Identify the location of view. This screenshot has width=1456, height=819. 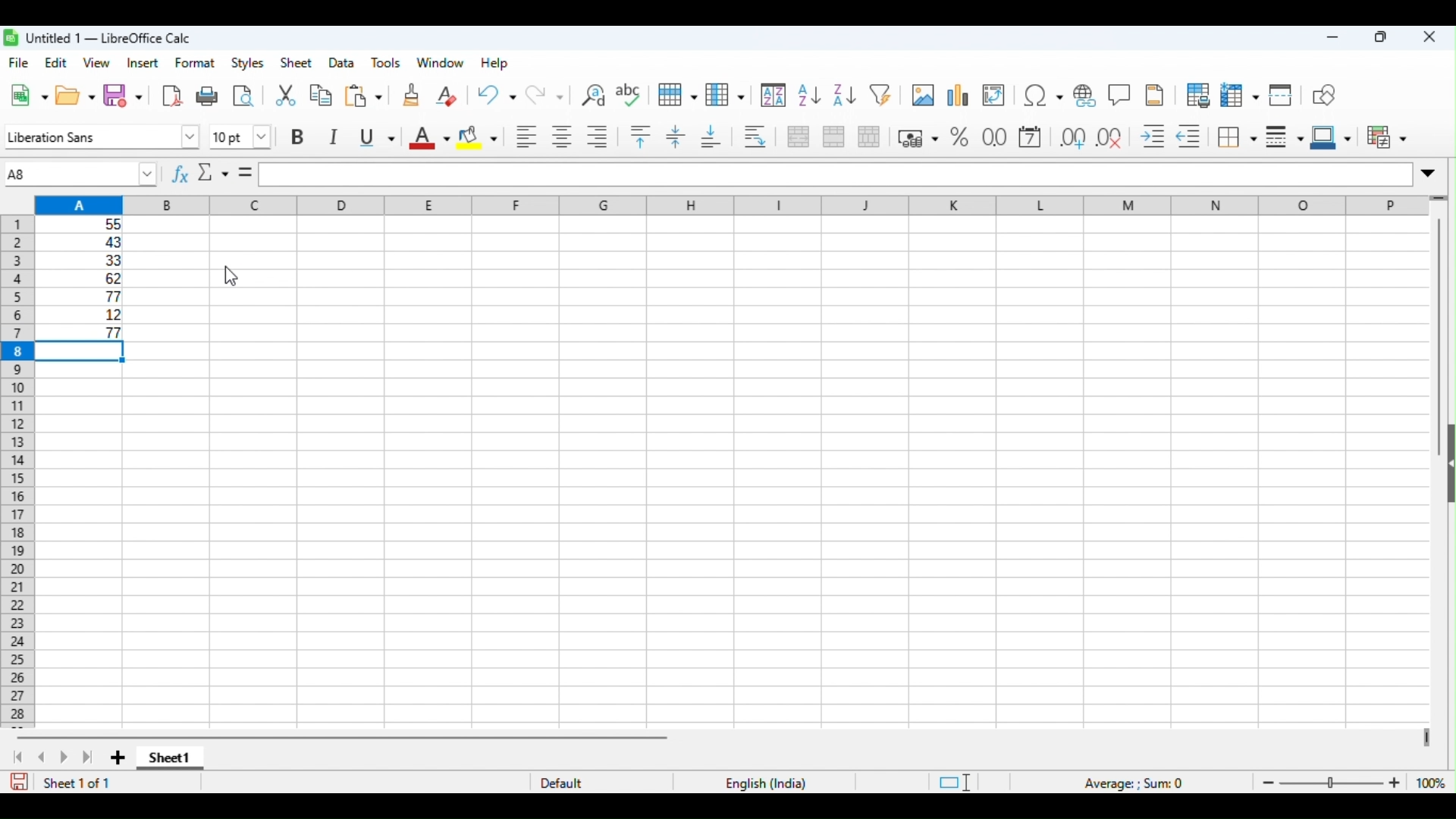
(96, 63).